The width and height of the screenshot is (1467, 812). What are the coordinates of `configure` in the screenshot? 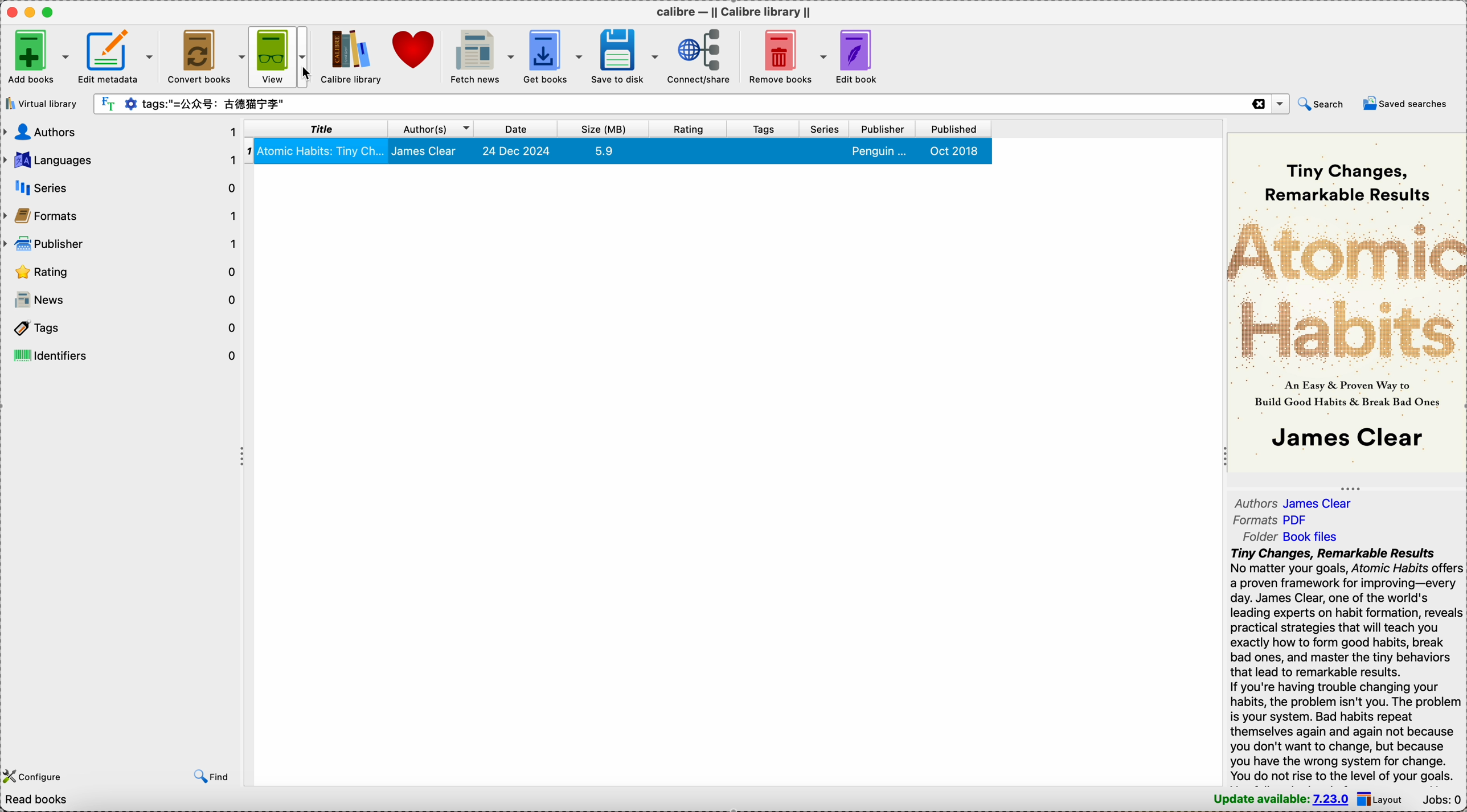 It's located at (36, 776).